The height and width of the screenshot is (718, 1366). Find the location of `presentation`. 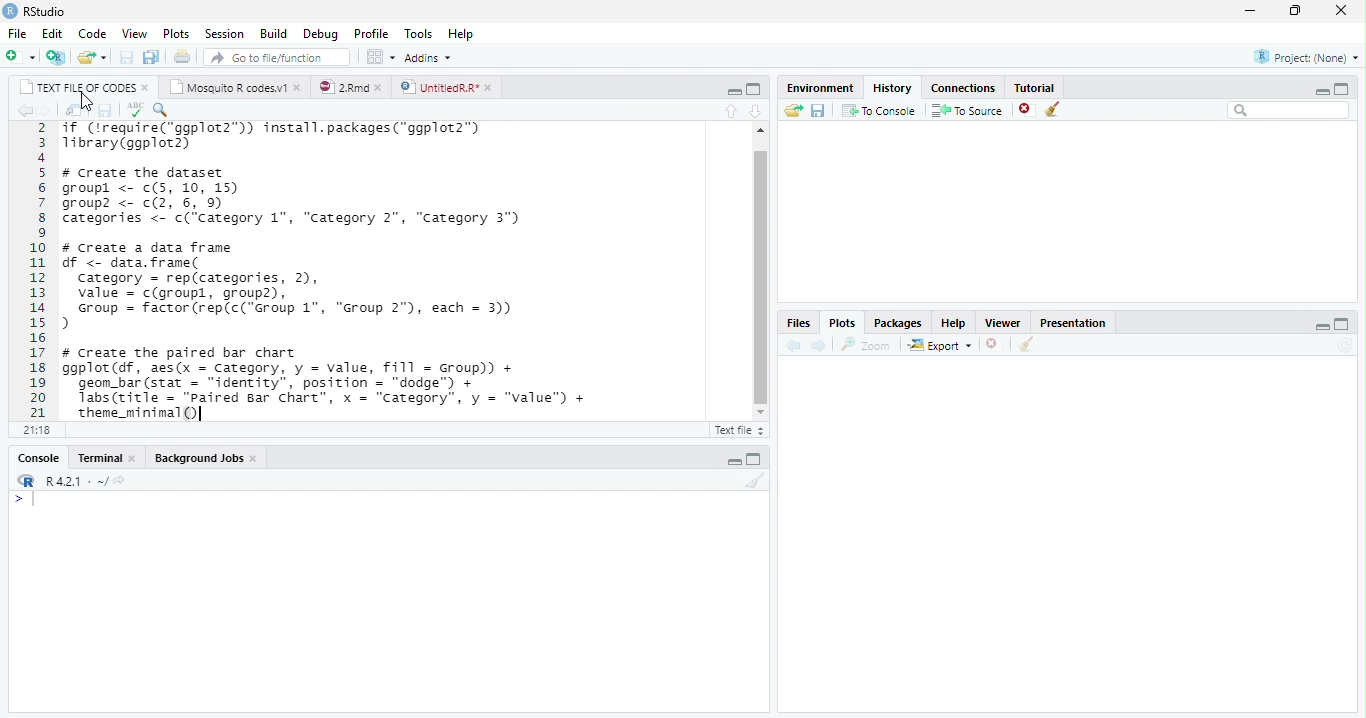

presentation is located at coordinates (1083, 321).